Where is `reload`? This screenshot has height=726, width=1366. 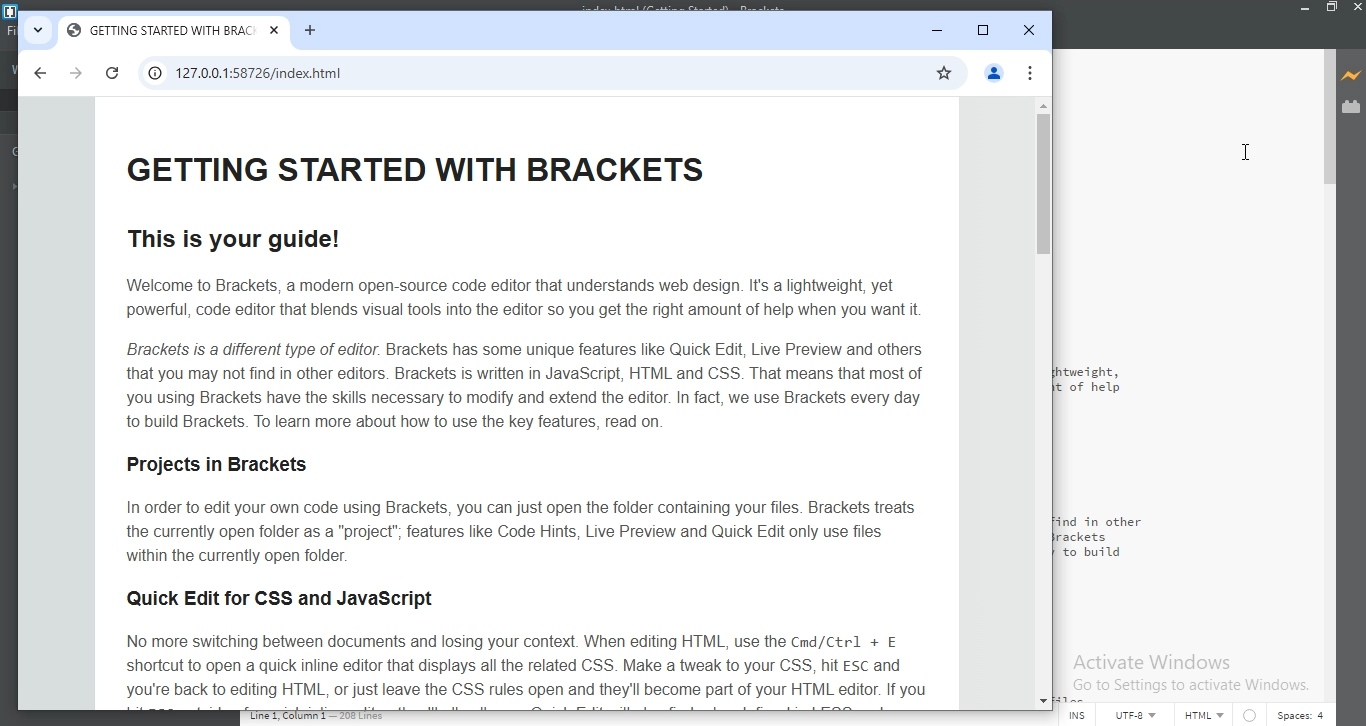
reload is located at coordinates (112, 74).